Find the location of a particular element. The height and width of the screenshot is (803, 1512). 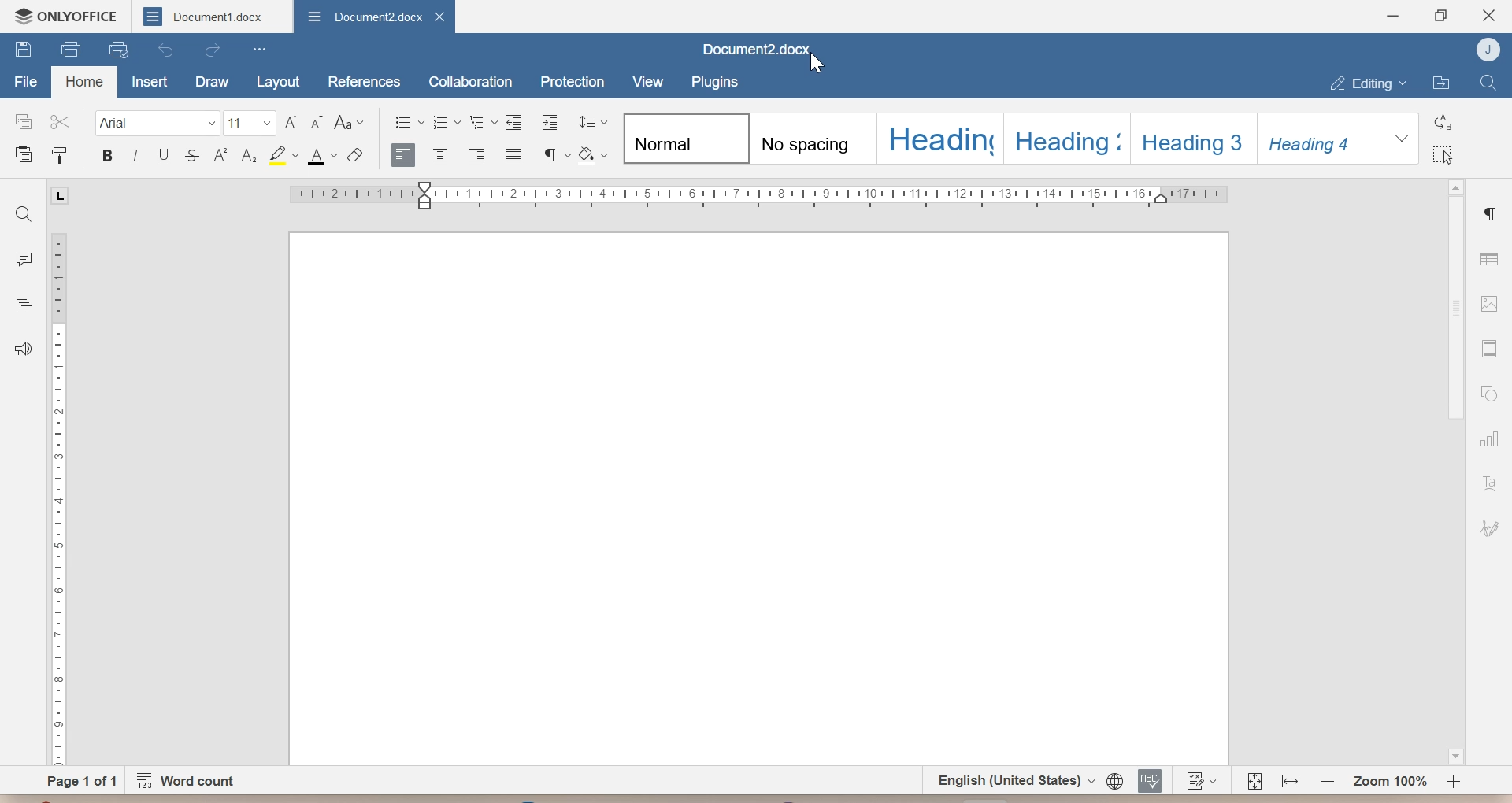

Page is located at coordinates (754, 499).